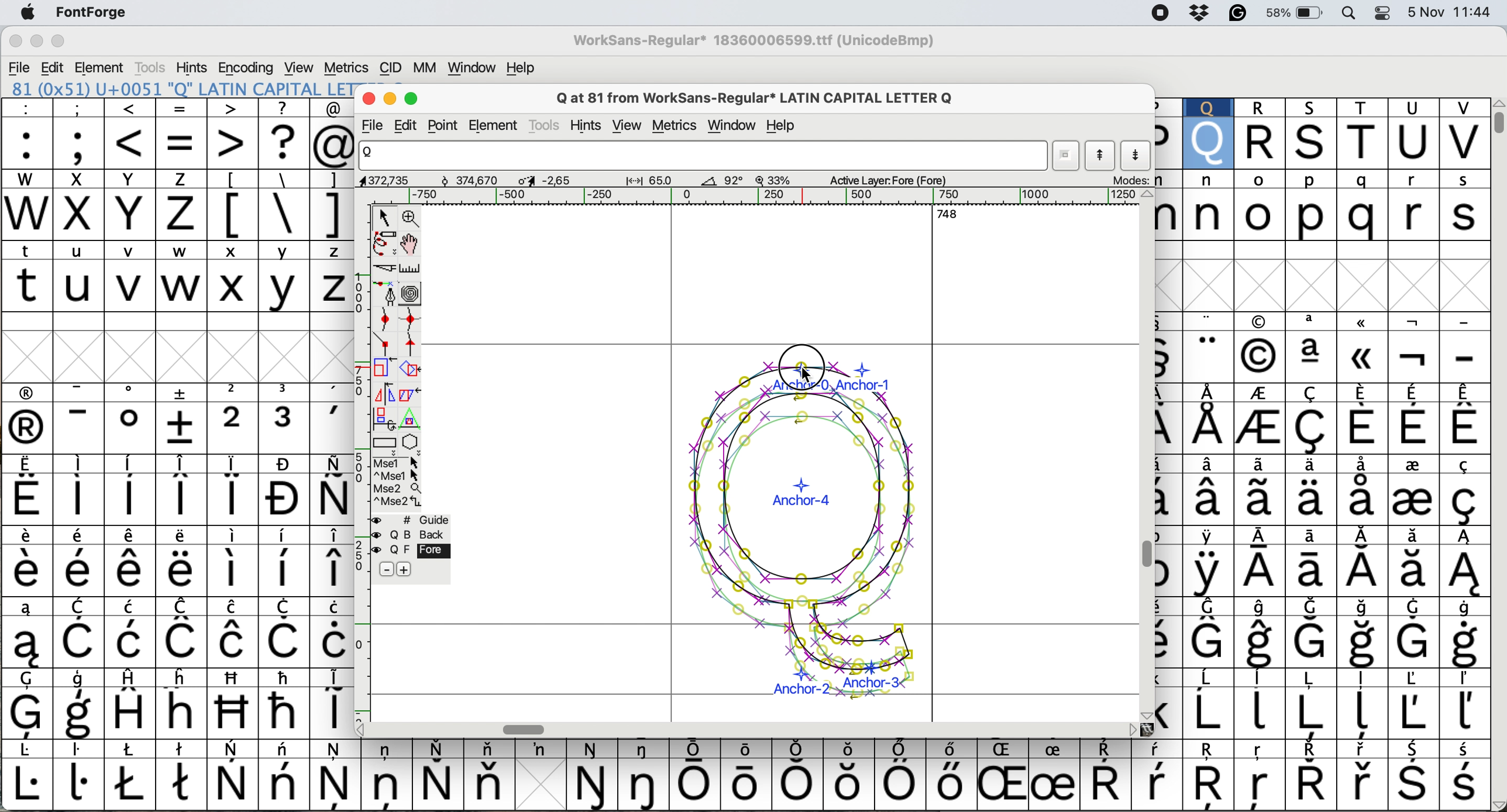 The height and width of the screenshot is (812, 1507). I want to click on element, so click(102, 68).